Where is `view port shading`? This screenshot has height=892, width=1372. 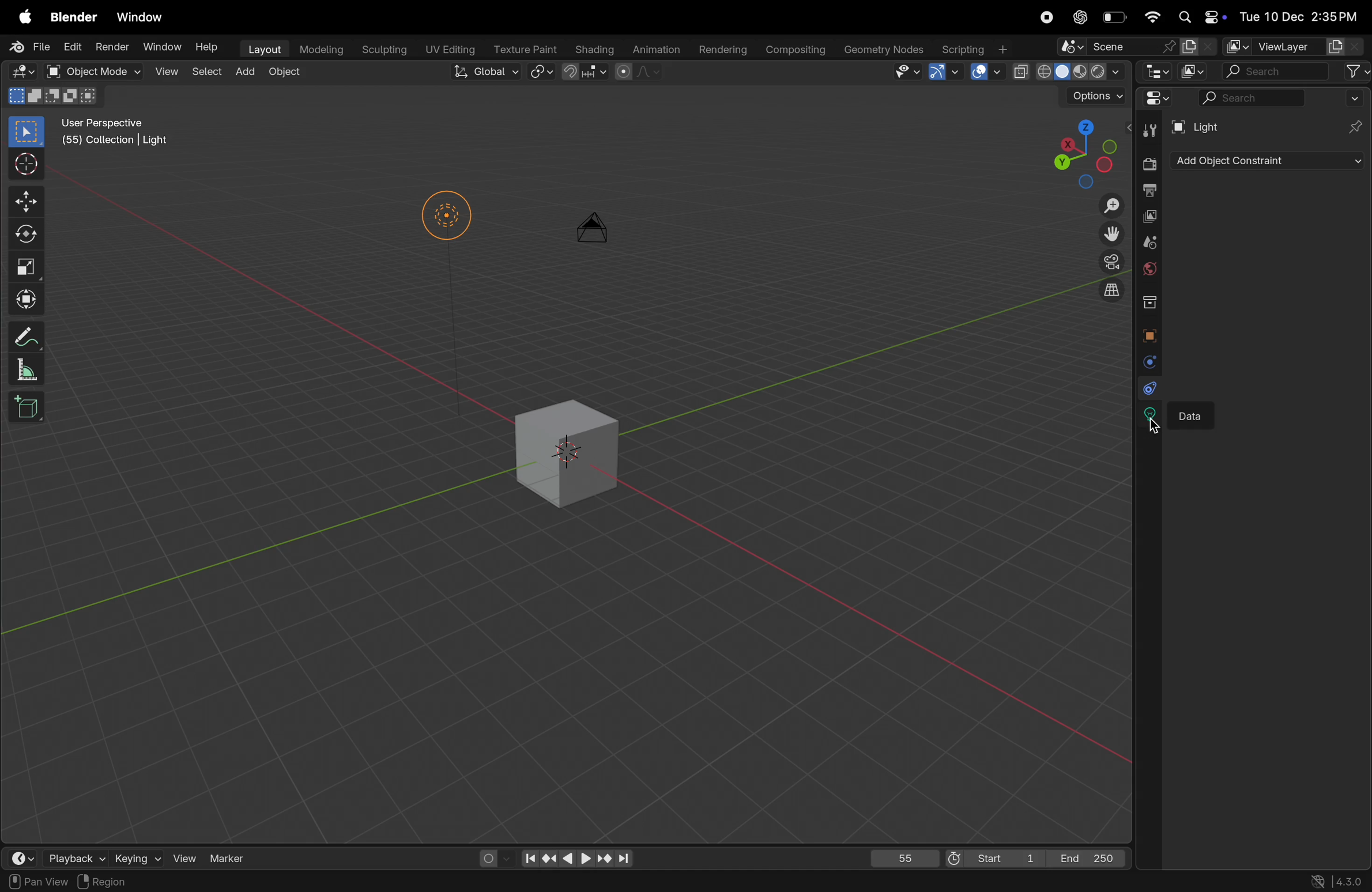 view port shading is located at coordinates (1073, 73).